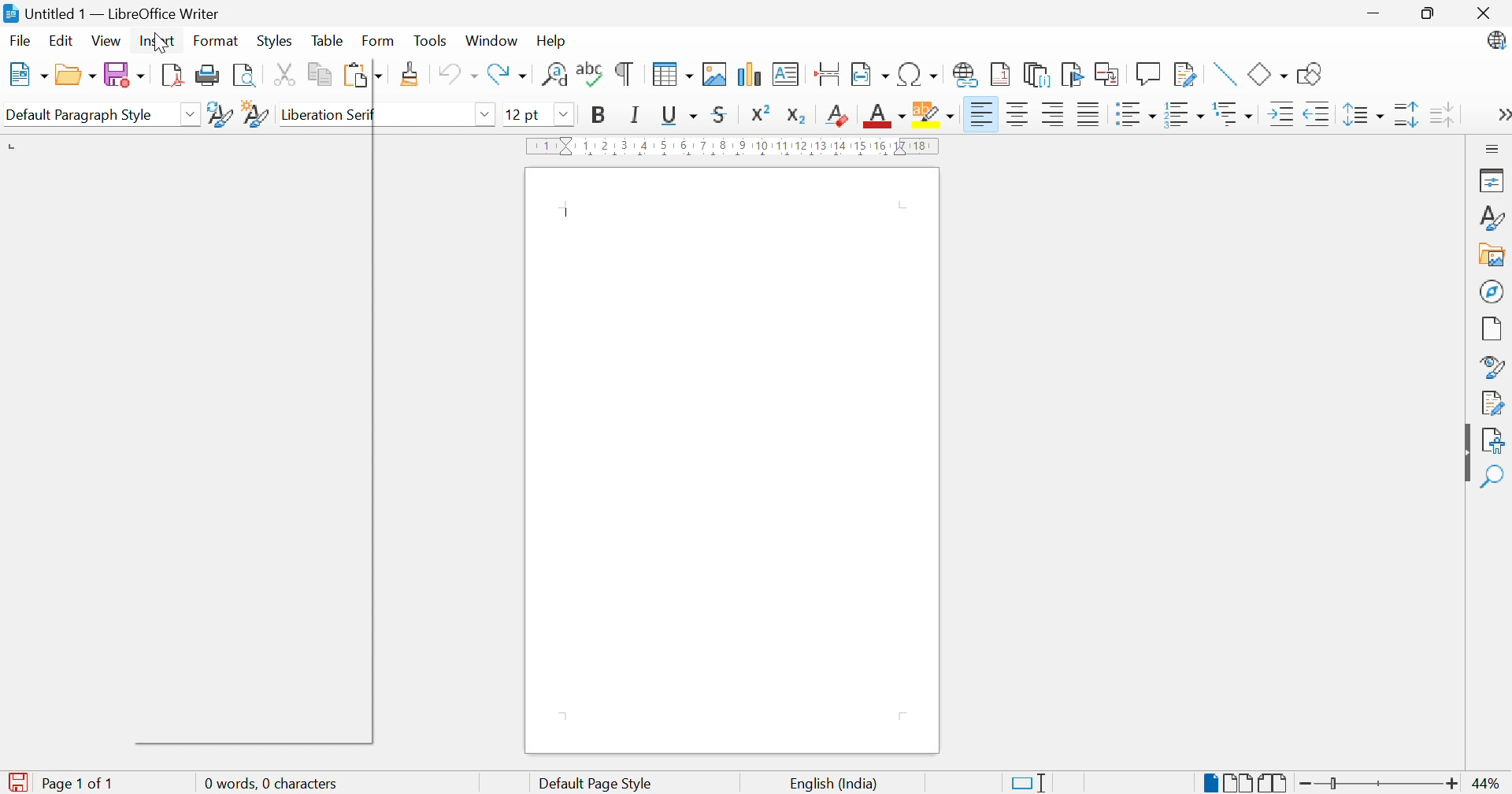 This screenshot has height=794, width=1512. What do you see at coordinates (124, 74) in the screenshot?
I see `Save` at bounding box center [124, 74].